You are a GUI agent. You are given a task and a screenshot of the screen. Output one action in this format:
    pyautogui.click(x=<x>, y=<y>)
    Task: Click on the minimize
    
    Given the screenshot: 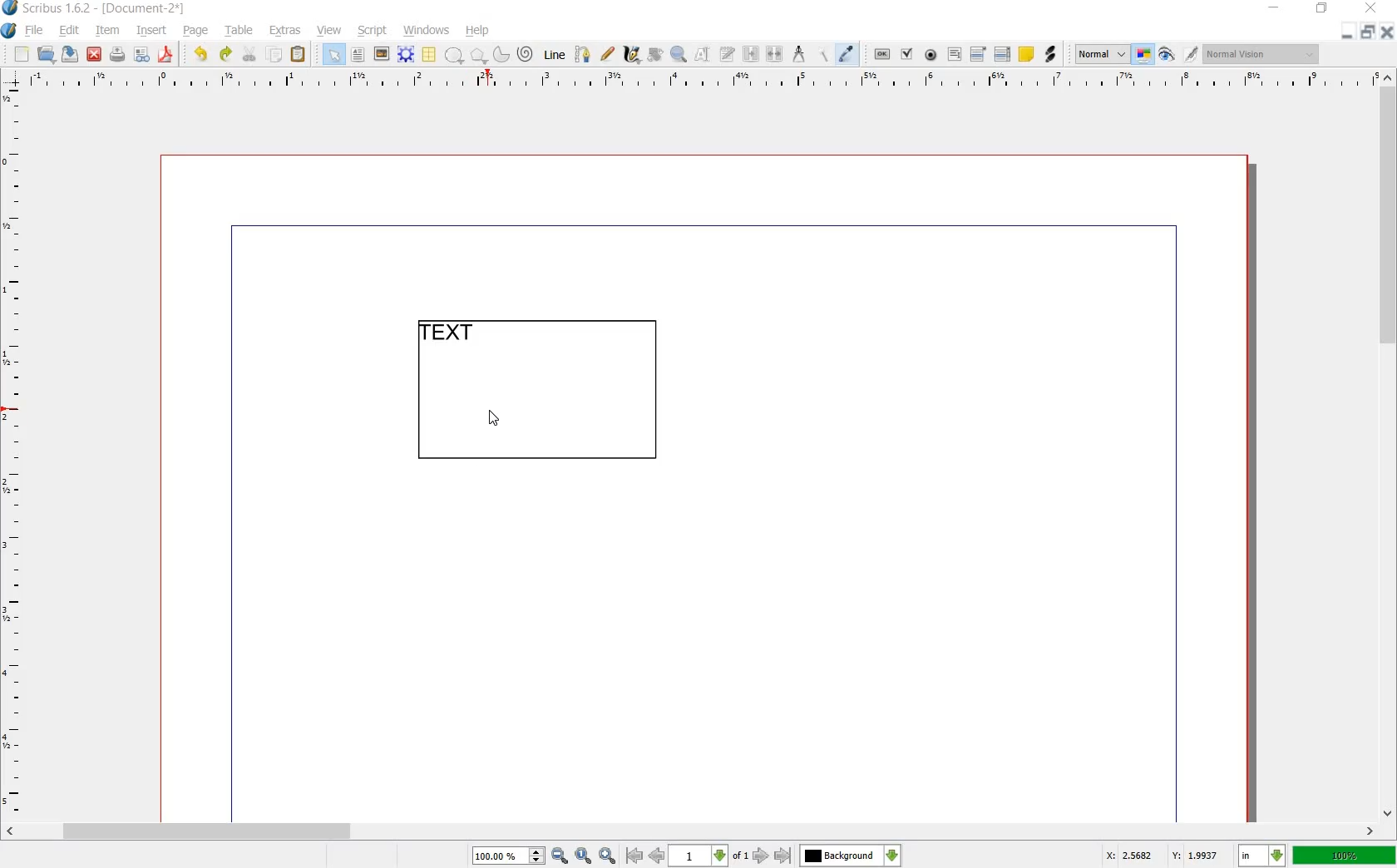 What is the action you would take?
    pyautogui.click(x=1348, y=33)
    